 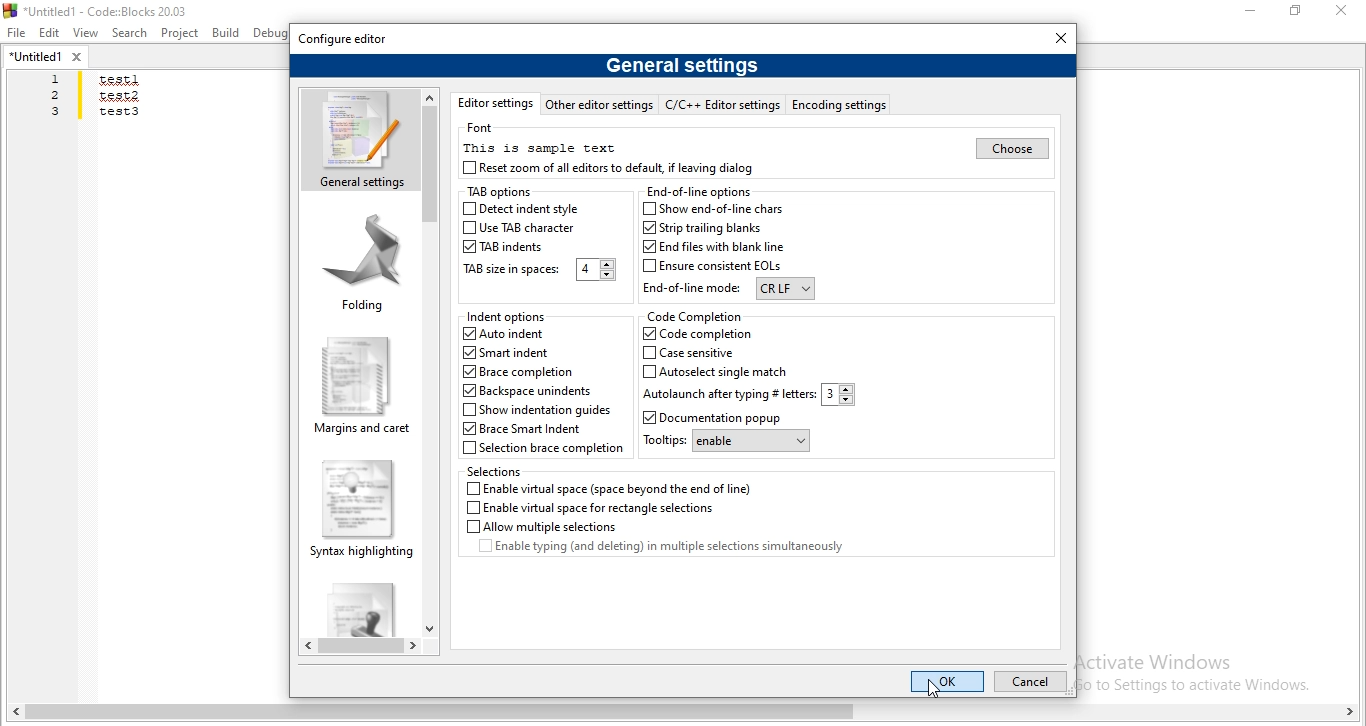 I want to click on End files with blank line, so click(x=711, y=247).